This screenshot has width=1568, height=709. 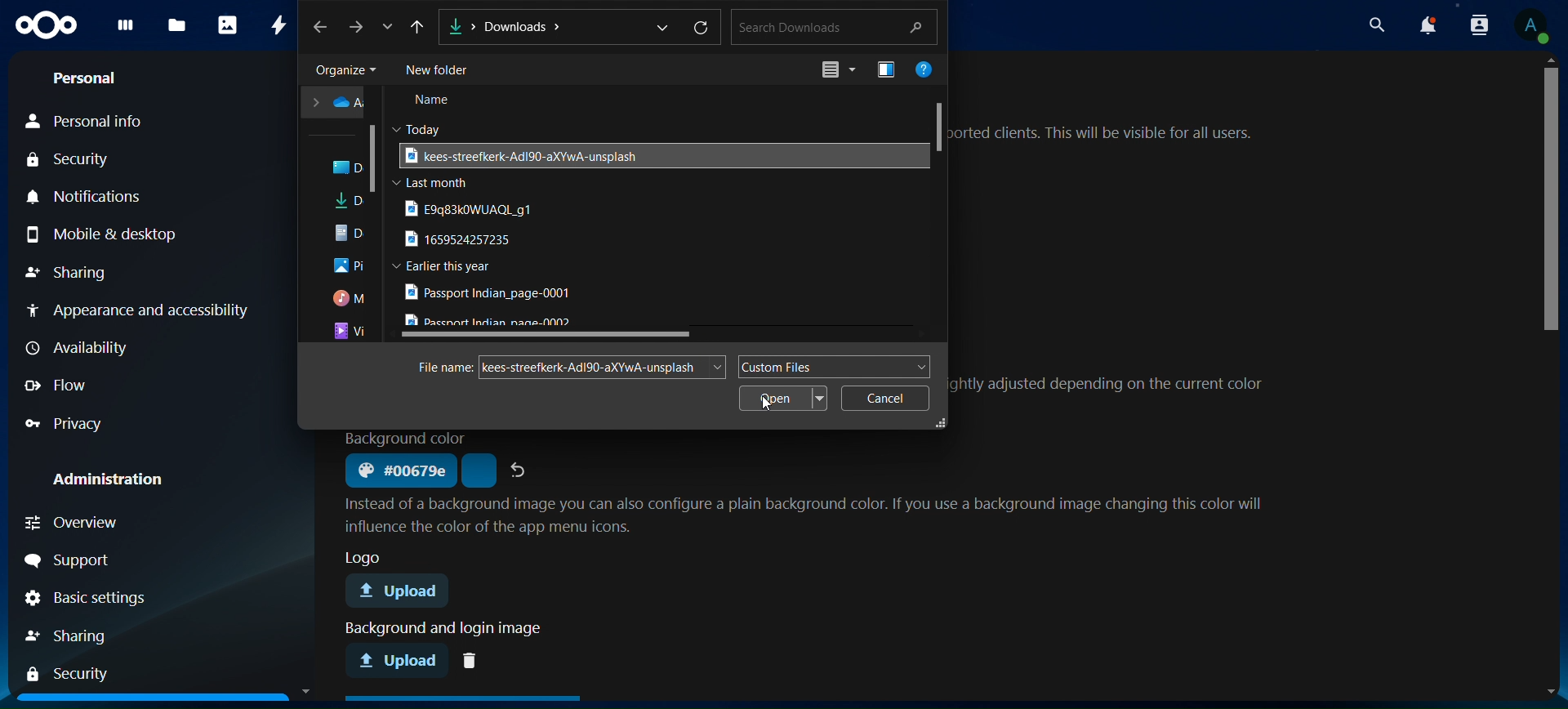 I want to click on text, so click(x=1110, y=136).